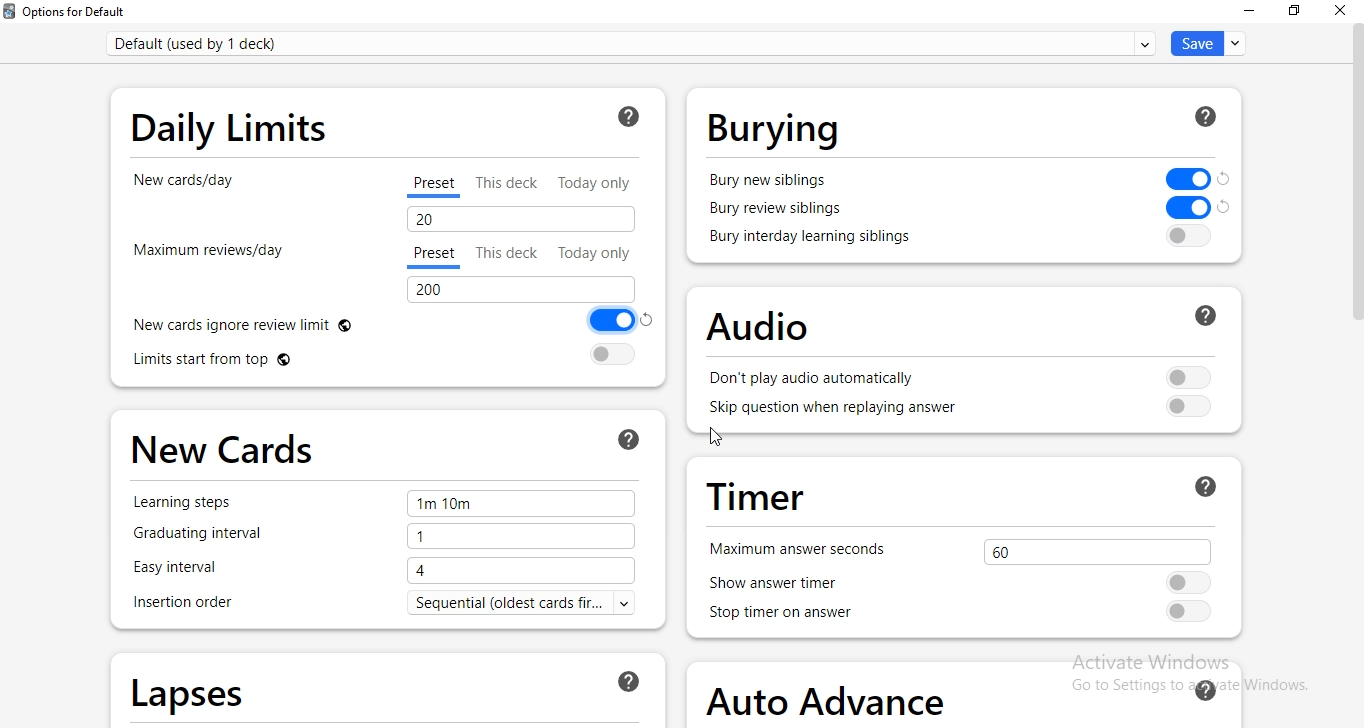  What do you see at coordinates (1180, 206) in the screenshot?
I see `toggle` at bounding box center [1180, 206].